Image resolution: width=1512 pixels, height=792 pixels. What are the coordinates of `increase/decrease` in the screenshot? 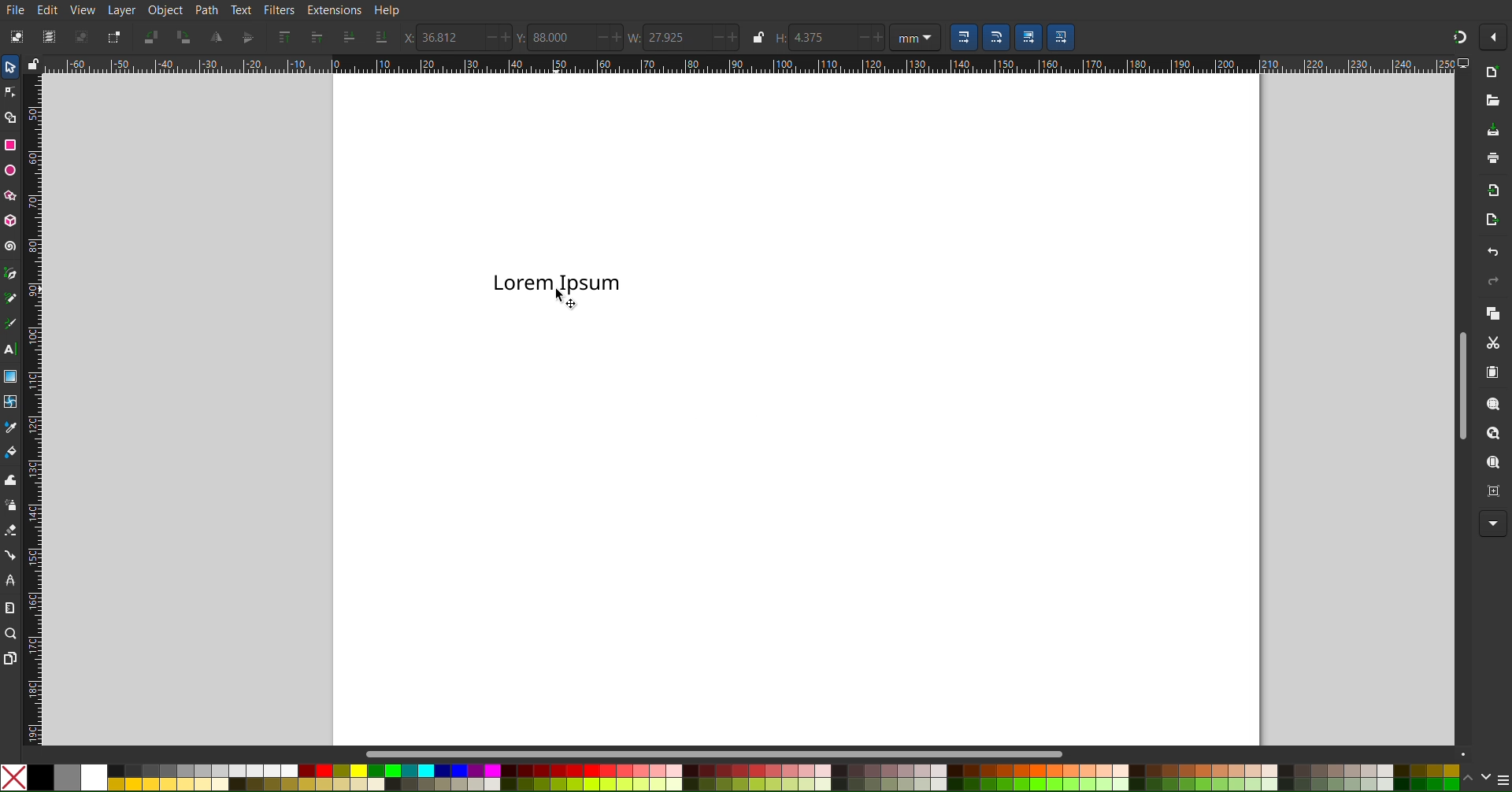 It's located at (610, 38).